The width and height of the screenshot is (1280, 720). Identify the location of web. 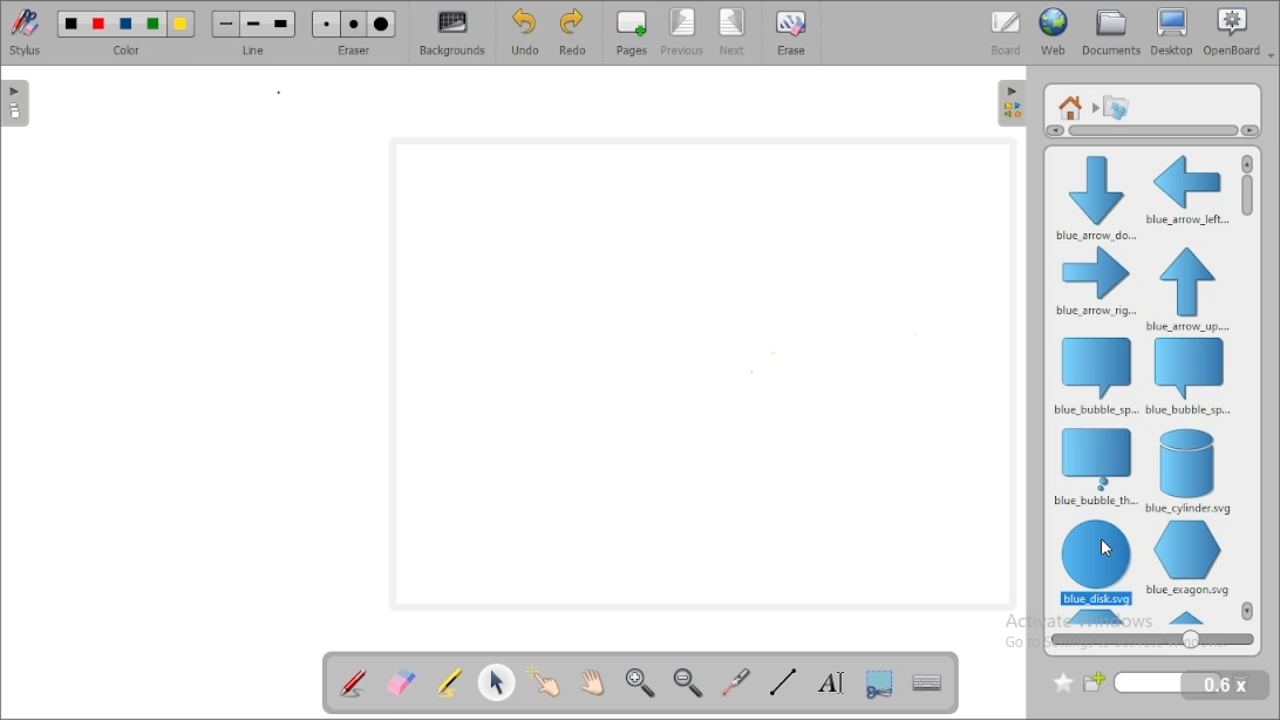
(1054, 32).